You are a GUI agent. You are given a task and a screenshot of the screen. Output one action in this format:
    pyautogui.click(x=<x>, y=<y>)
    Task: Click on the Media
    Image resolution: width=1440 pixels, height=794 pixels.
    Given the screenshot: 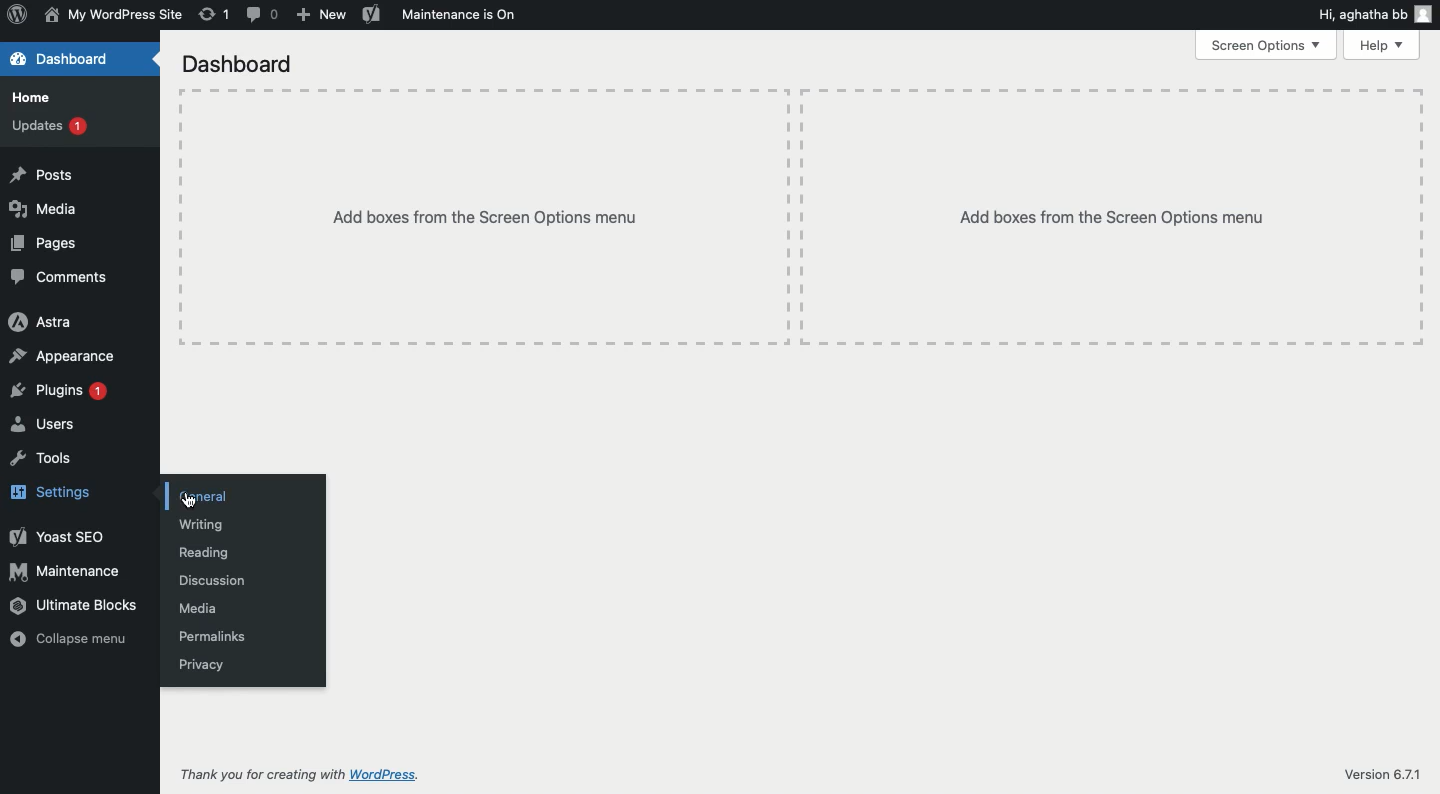 What is the action you would take?
    pyautogui.click(x=198, y=608)
    